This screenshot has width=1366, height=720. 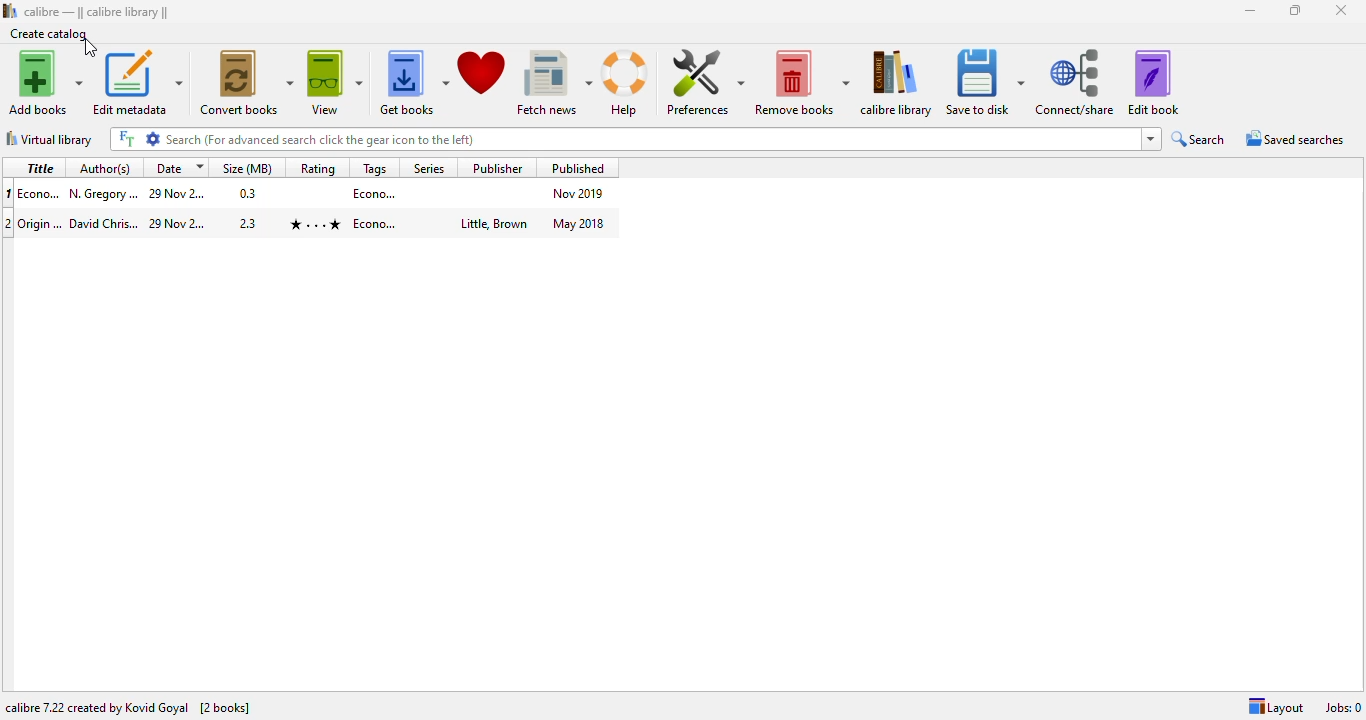 I want to click on edit book, so click(x=1153, y=82).